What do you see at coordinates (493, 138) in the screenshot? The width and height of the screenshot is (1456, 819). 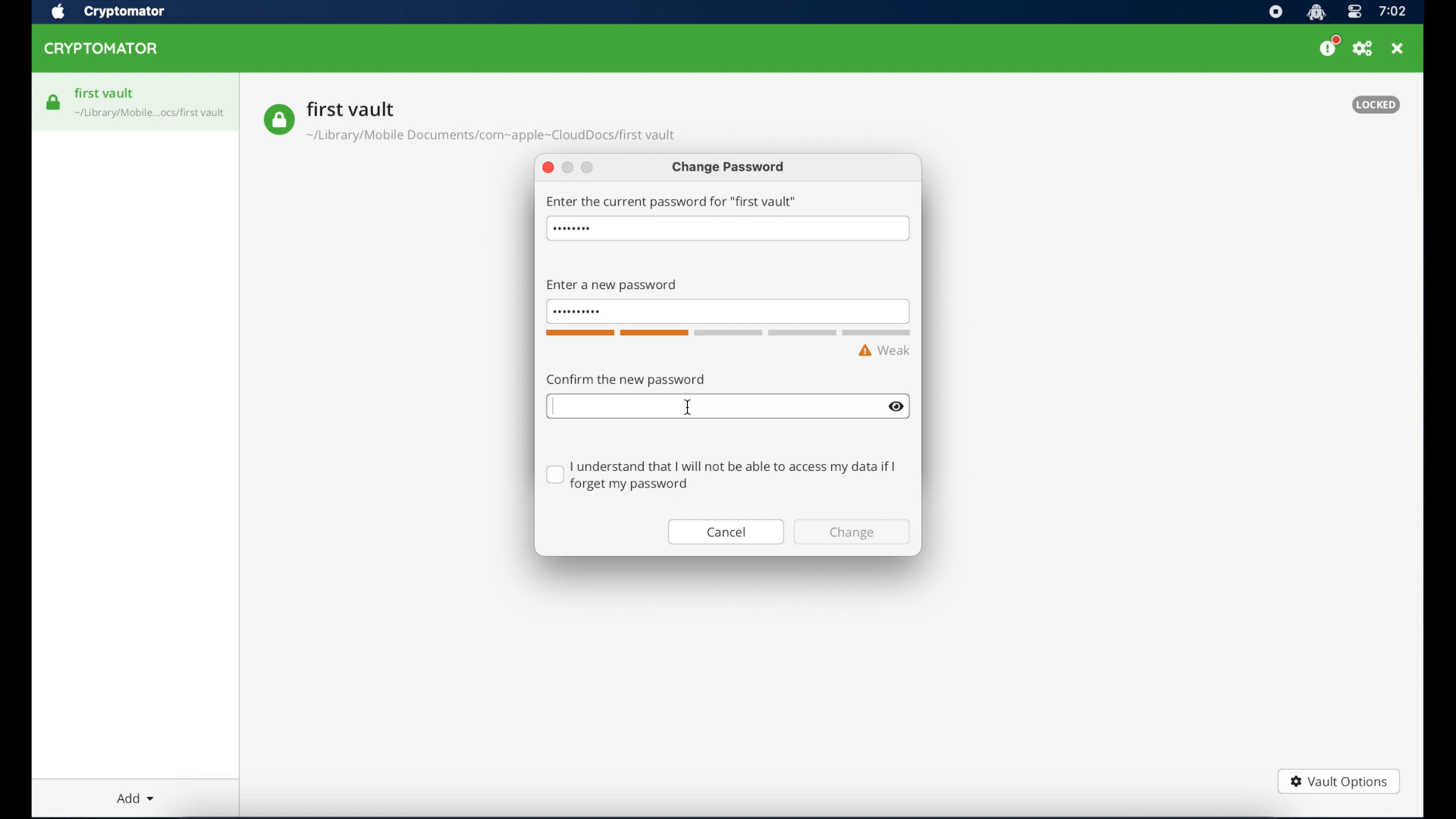 I see `vault location` at bounding box center [493, 138].